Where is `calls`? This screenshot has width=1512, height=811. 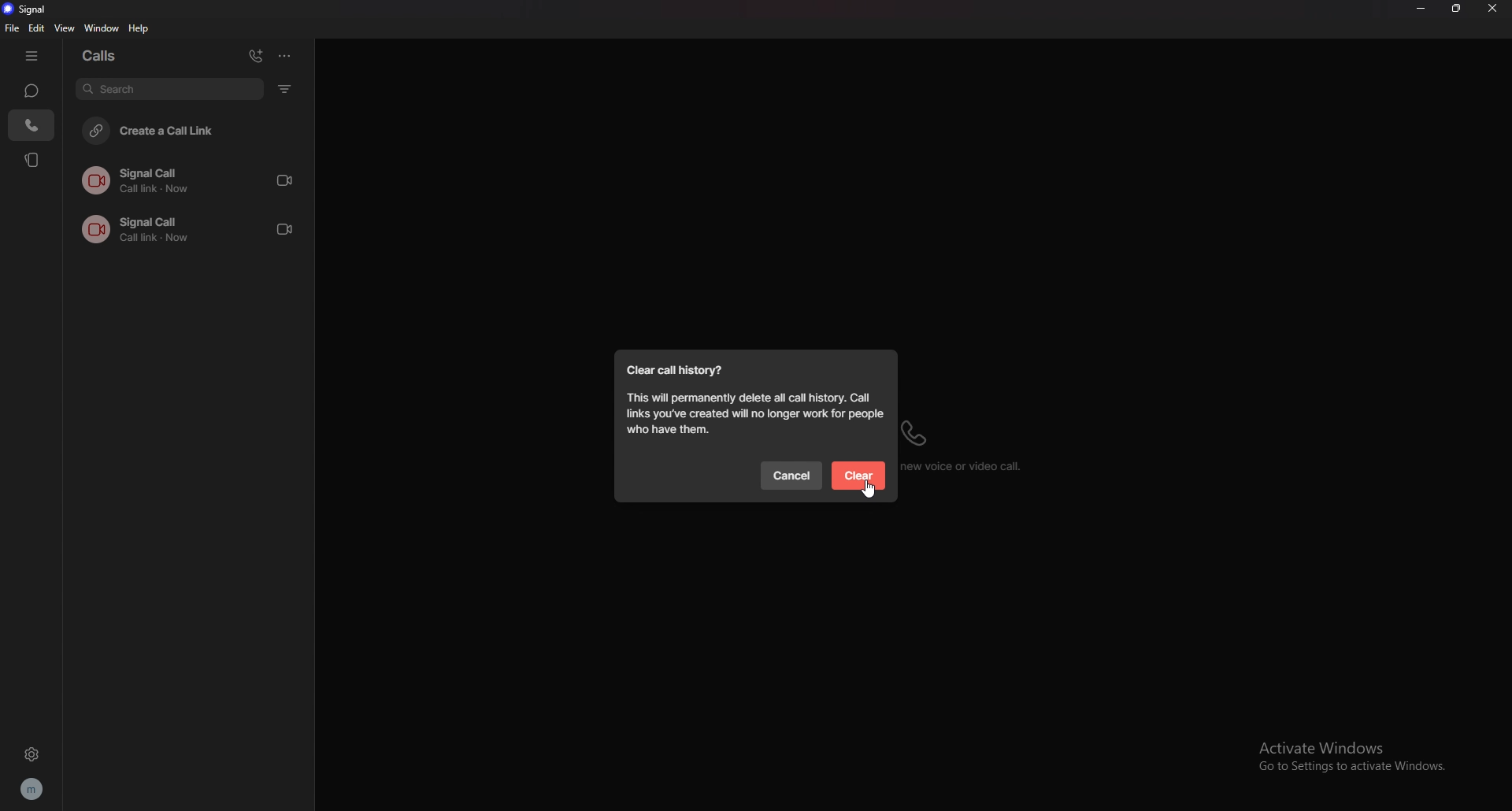
calls is located at coordinates (30, 126).